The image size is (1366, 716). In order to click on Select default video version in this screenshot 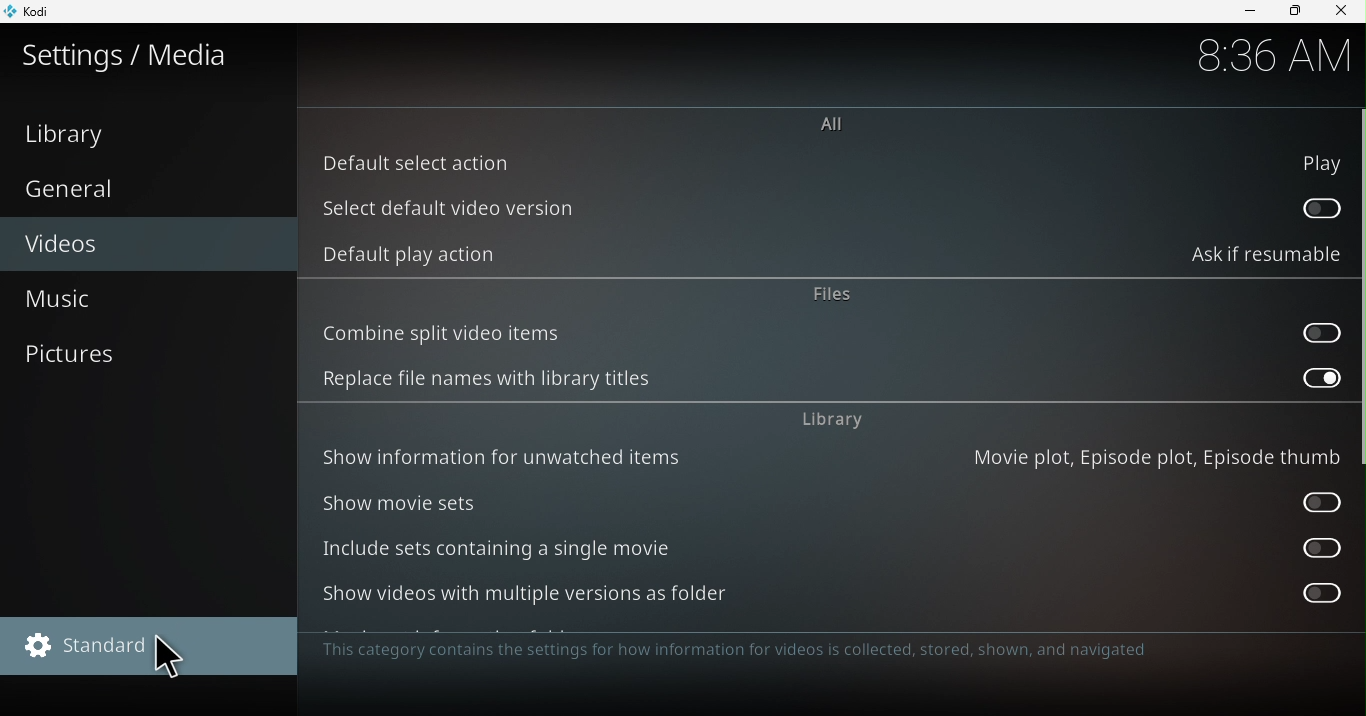, I will do `click(819, 210)`.